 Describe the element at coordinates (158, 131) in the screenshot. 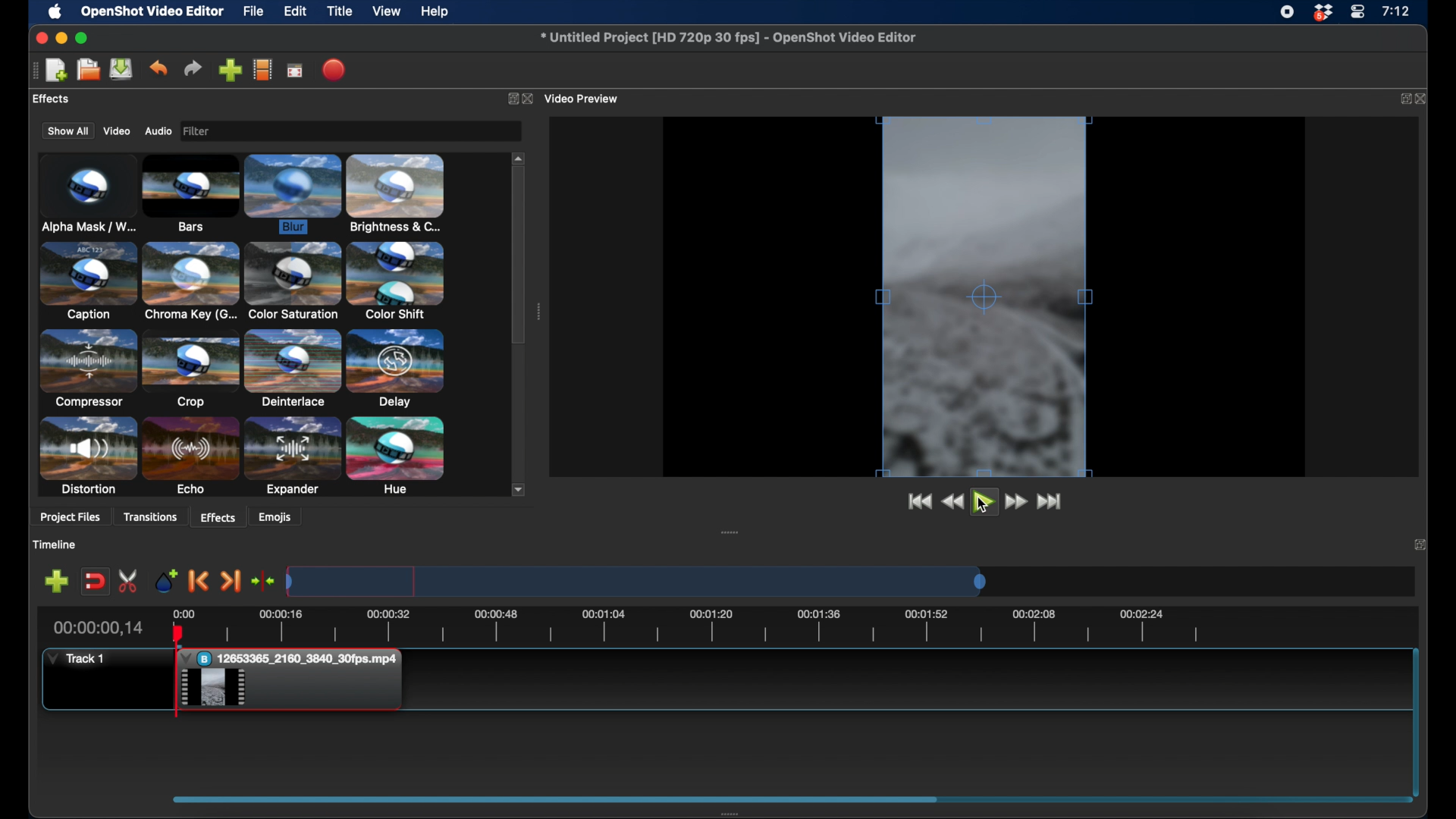

I see `audio` at that location.